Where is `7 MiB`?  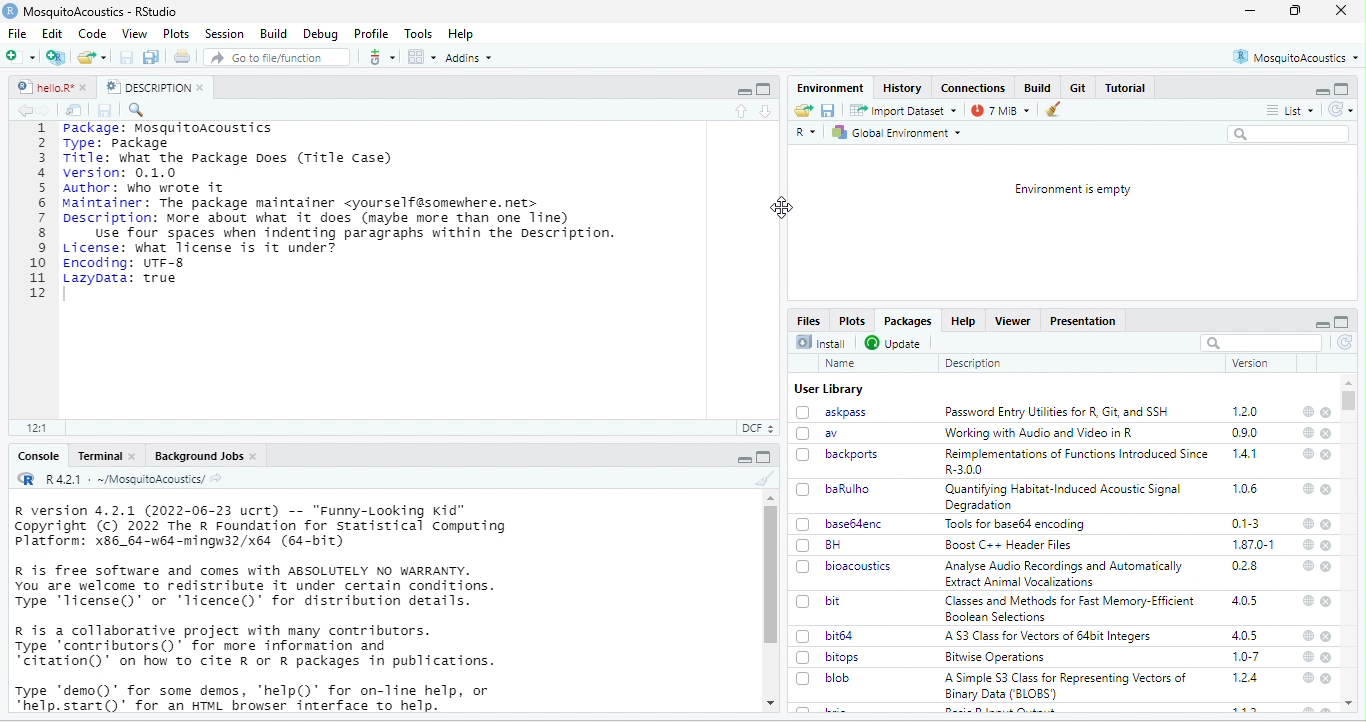 7 MiB is located at coordinates (1000, 110).